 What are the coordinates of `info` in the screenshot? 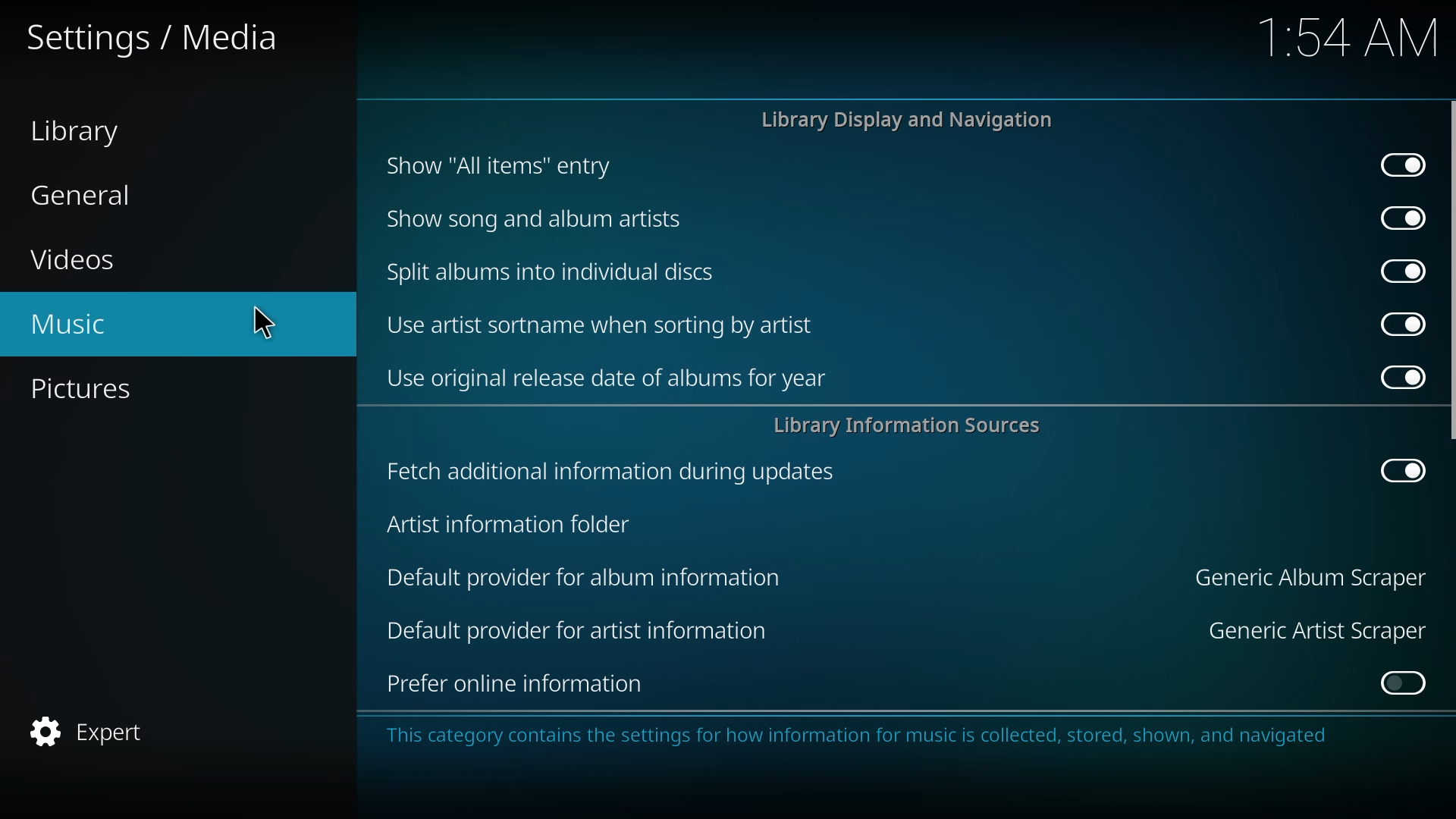 It's located at (861, 739).